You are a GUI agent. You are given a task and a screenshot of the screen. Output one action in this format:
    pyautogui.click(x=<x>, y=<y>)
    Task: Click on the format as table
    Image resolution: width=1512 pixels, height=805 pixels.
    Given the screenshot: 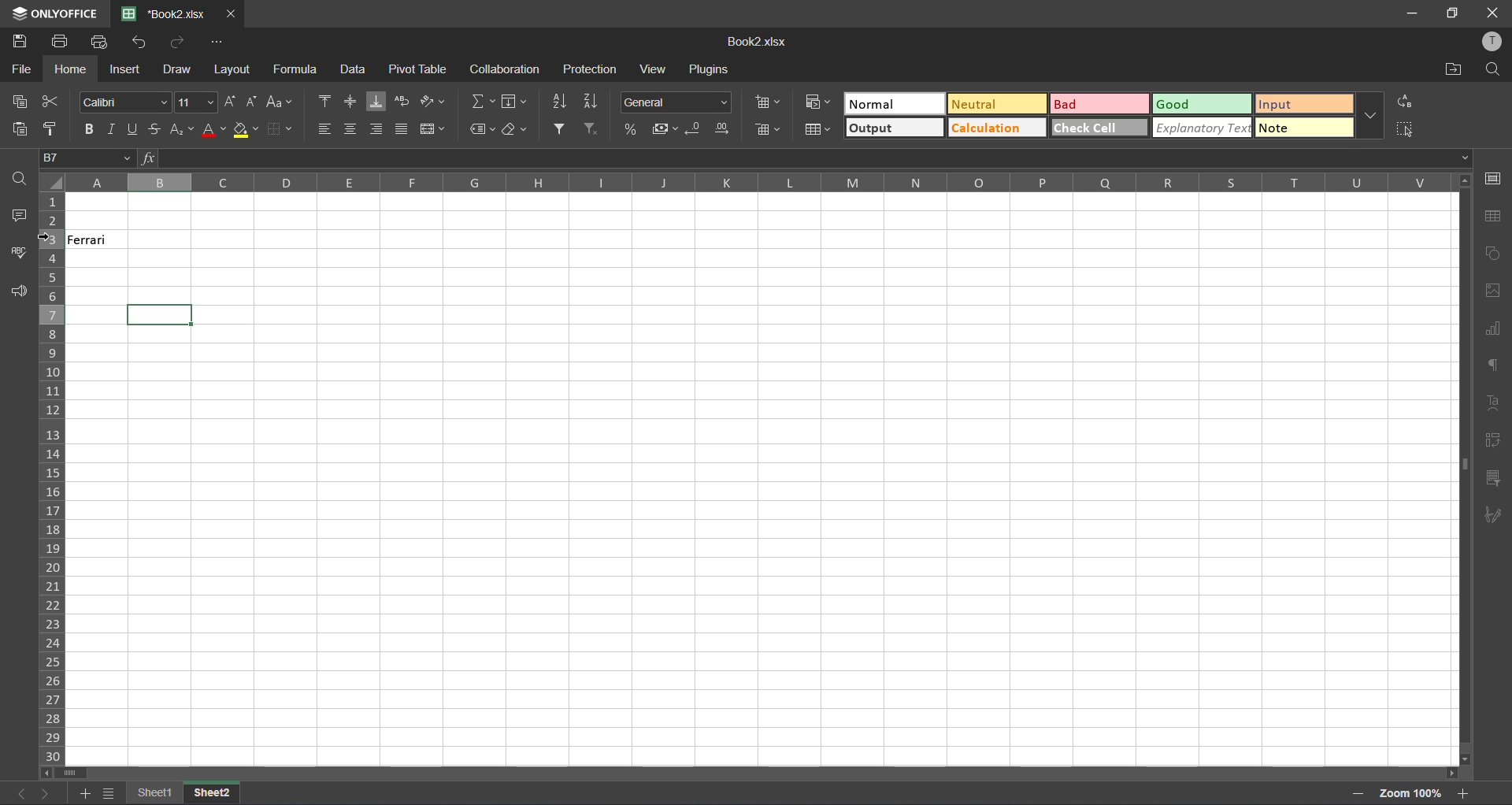 What is the action you would take?
    pyautogui.click(x=818, y=130)
    